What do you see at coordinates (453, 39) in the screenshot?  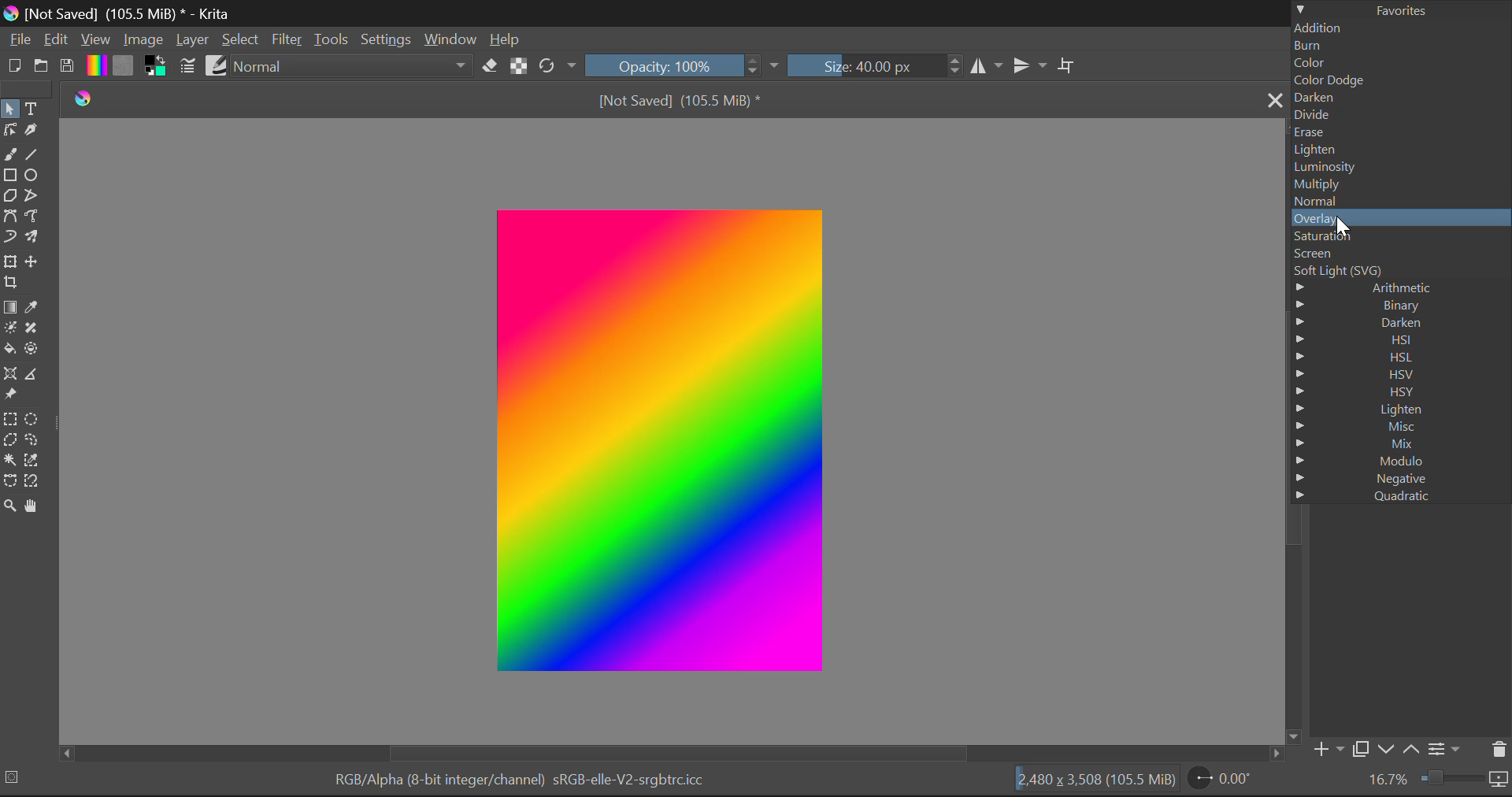 I see `Window` at bounding box center [453, 39].